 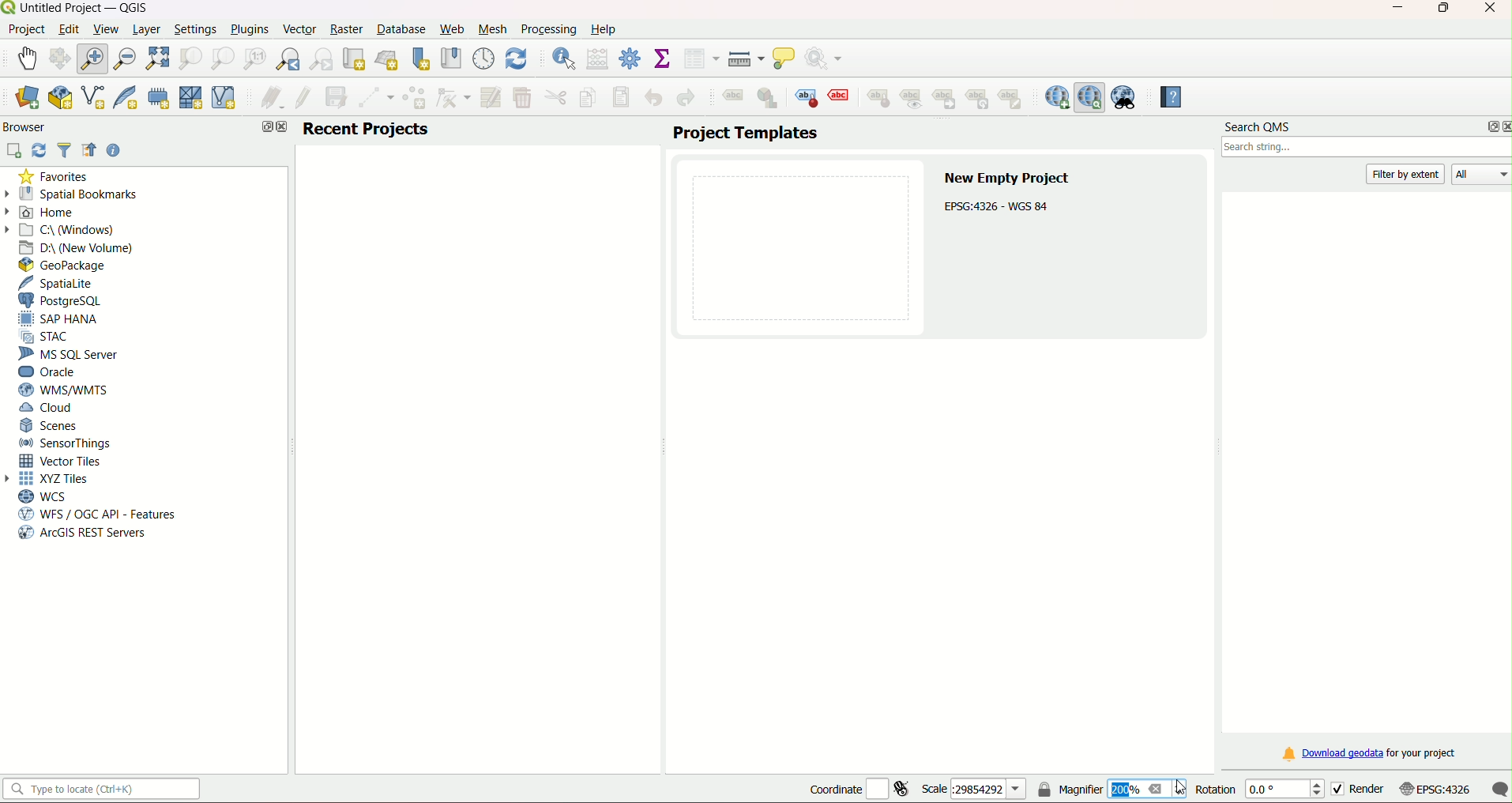 I want to click on redo, so click(x=685, y=99).